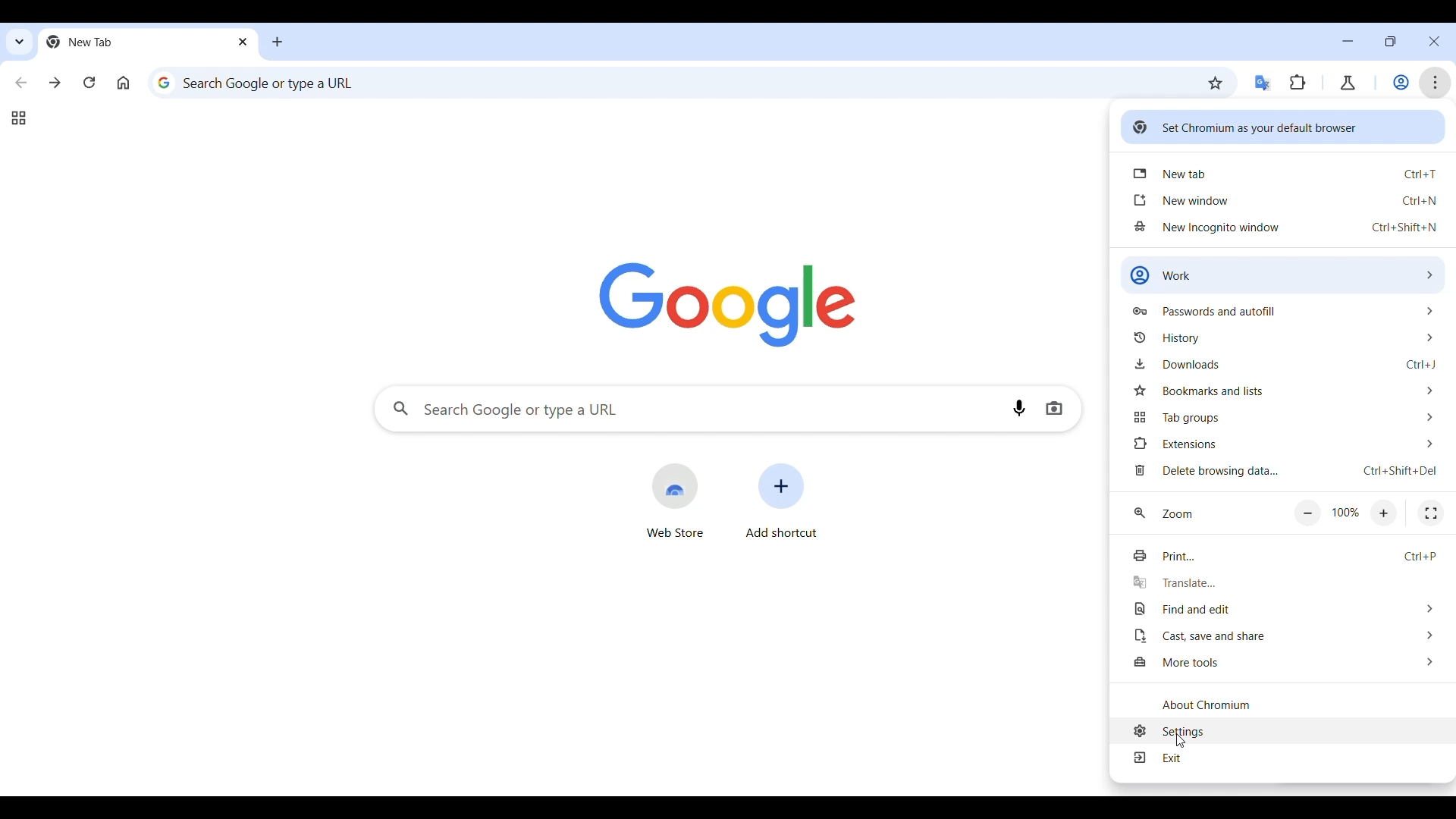  I want to click on Add new tab, so click(277, 42).